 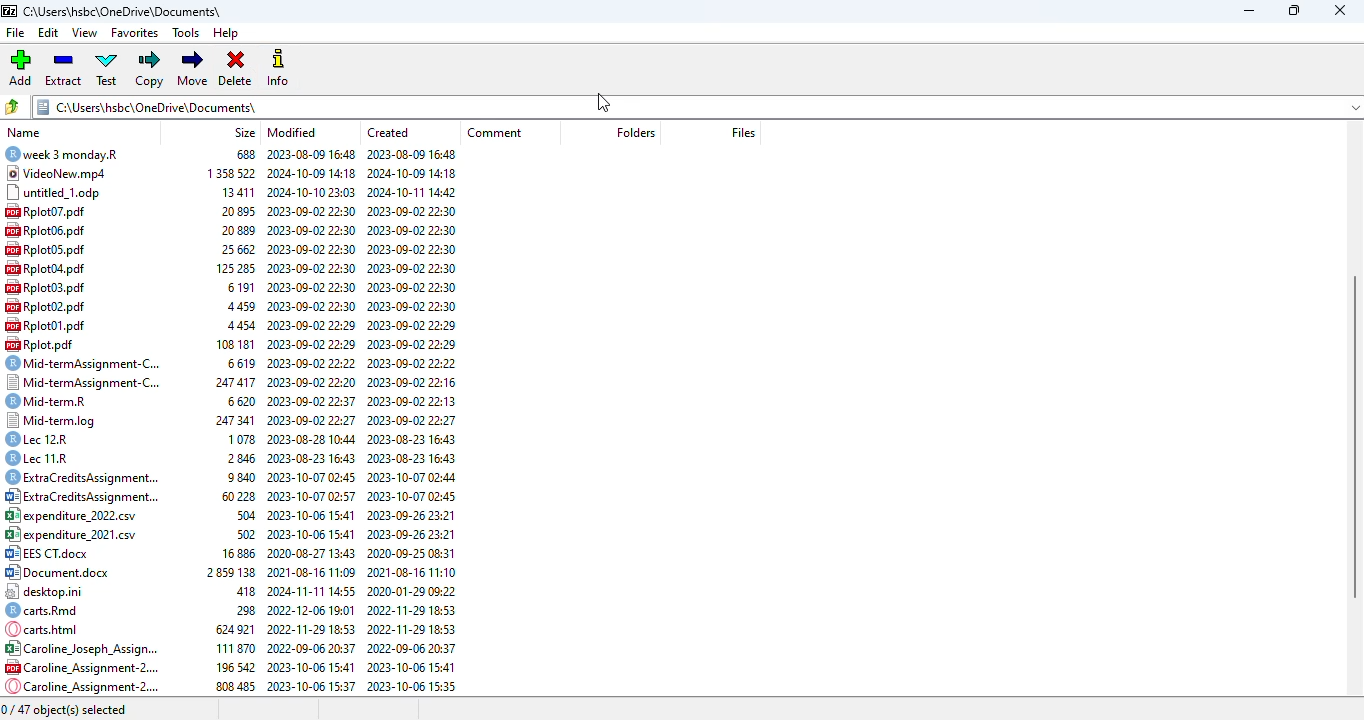 What do you see at coordinates (54, 230) in the screenshot?
I see `riplot0b.pdf` at bounding box center [54, 230].